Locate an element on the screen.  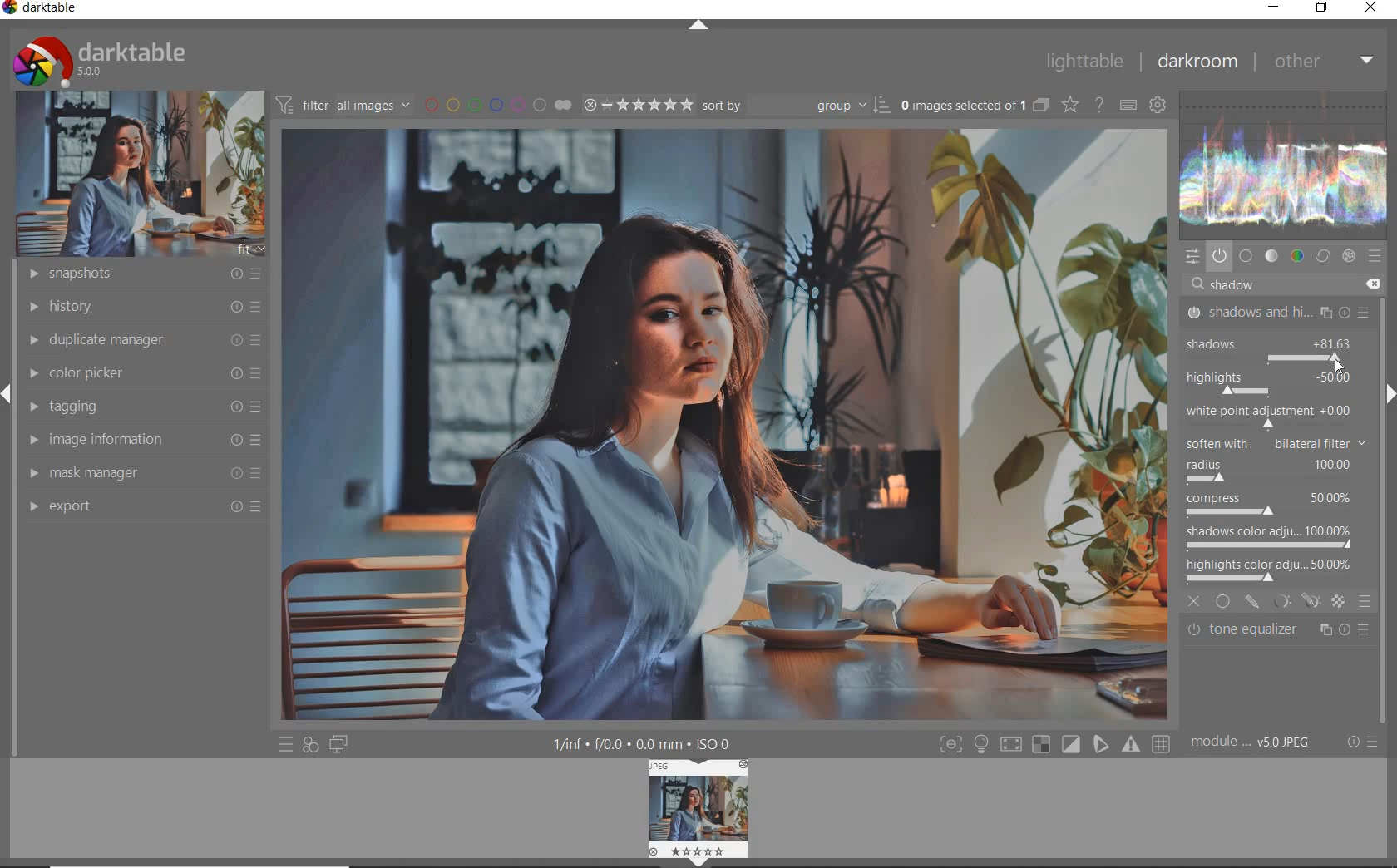
minimize is located at coordinates (1274, 7).